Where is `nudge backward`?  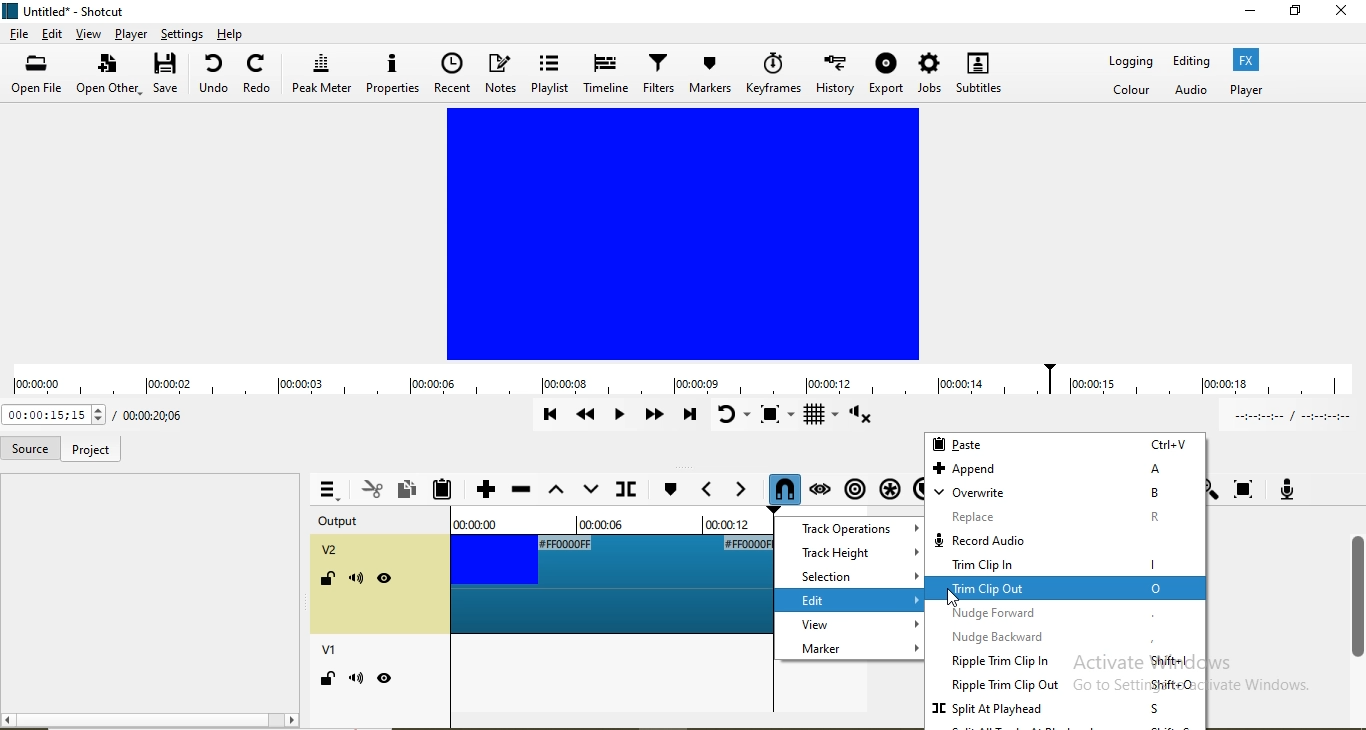
nudge backward is located at coordinates (1067, 640).